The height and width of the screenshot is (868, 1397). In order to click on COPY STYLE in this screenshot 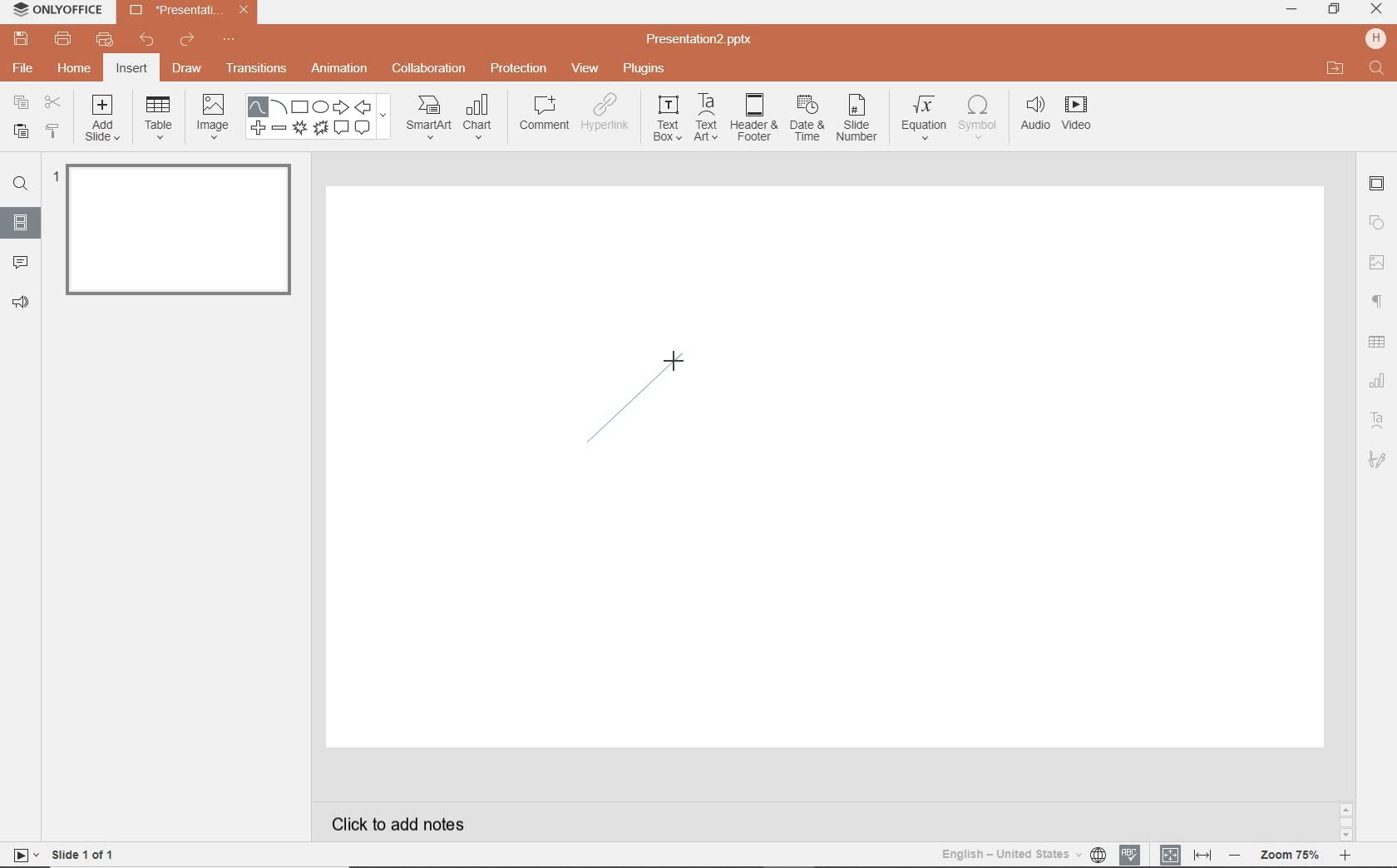, I will do `click(52, 131)`.